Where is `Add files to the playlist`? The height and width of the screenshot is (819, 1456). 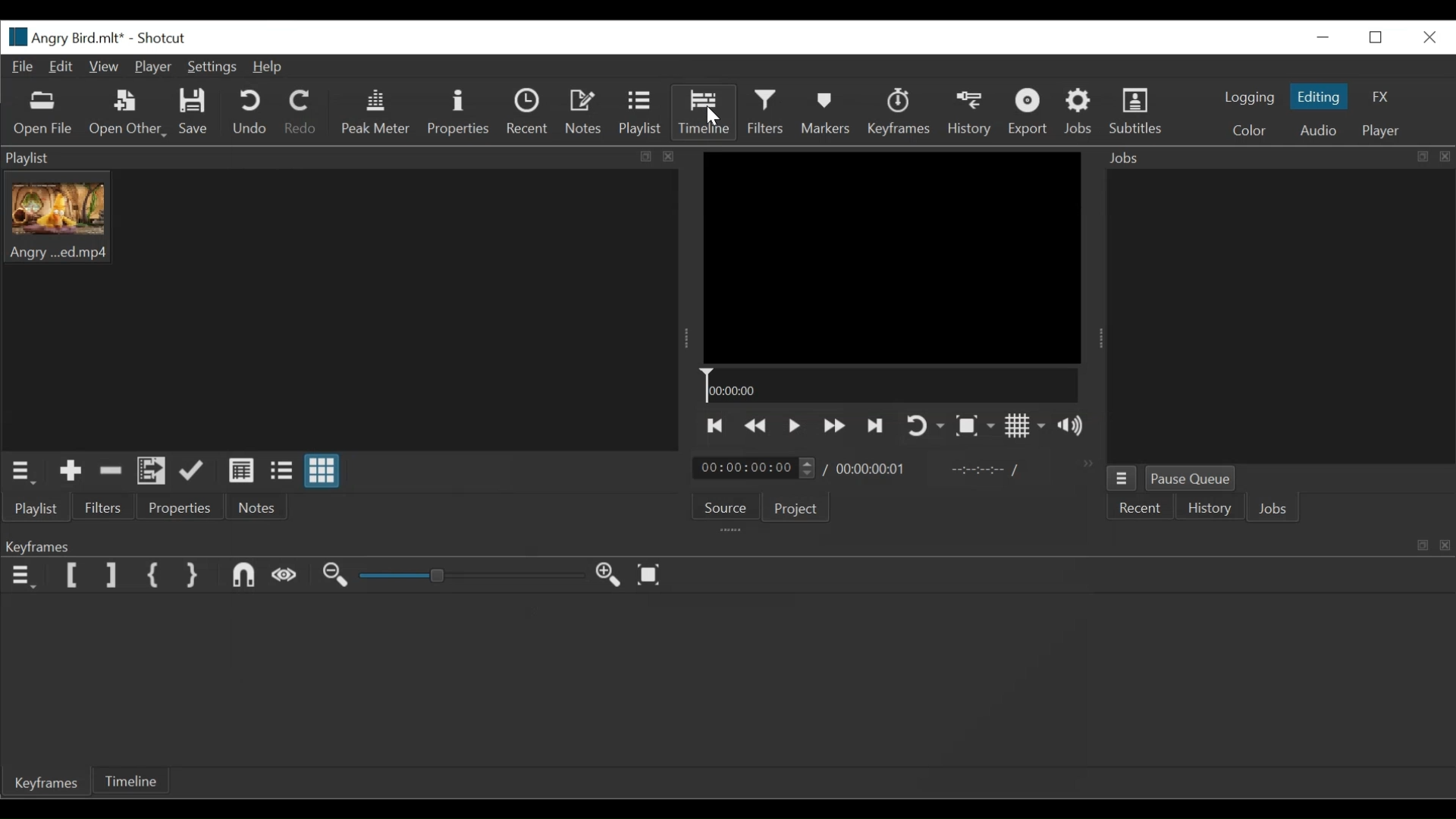 Add files to the playlist is located at coordinates (152, 471).